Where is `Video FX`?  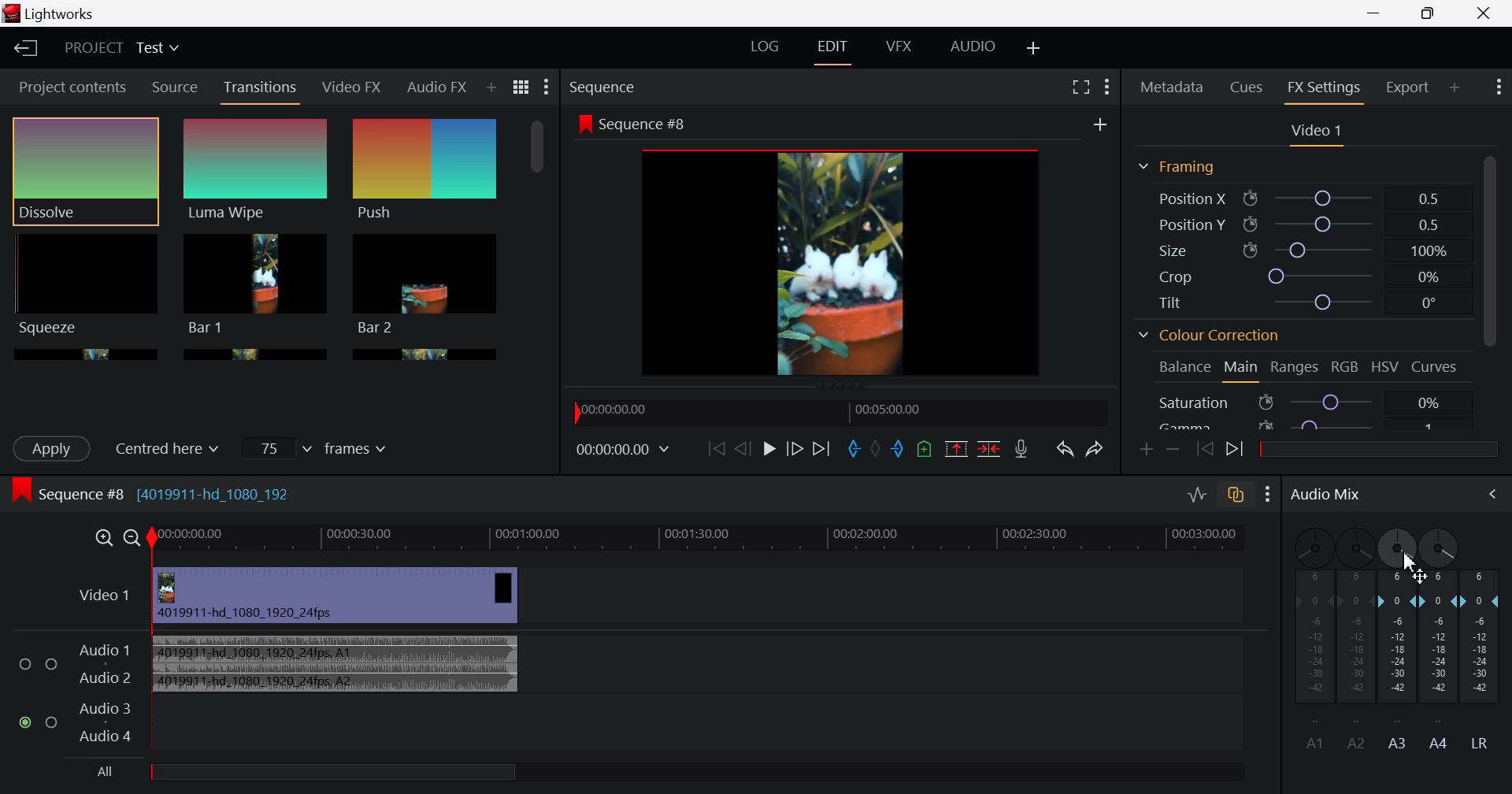
Video FX is located at coordinates (350, 89).